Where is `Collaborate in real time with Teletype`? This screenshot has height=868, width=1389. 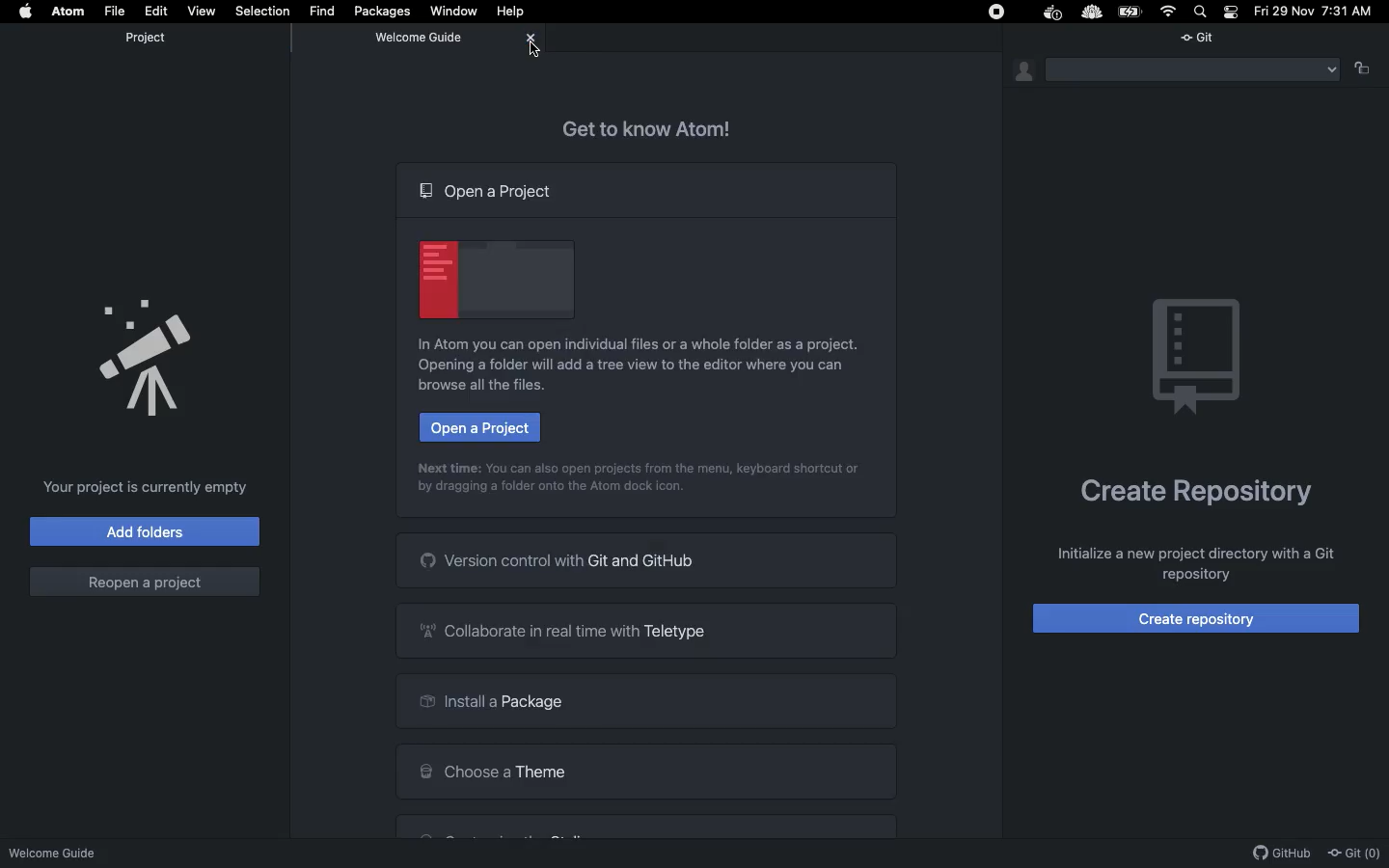 Collaborate in real time with Teletype is located at coordinates (645, 627).